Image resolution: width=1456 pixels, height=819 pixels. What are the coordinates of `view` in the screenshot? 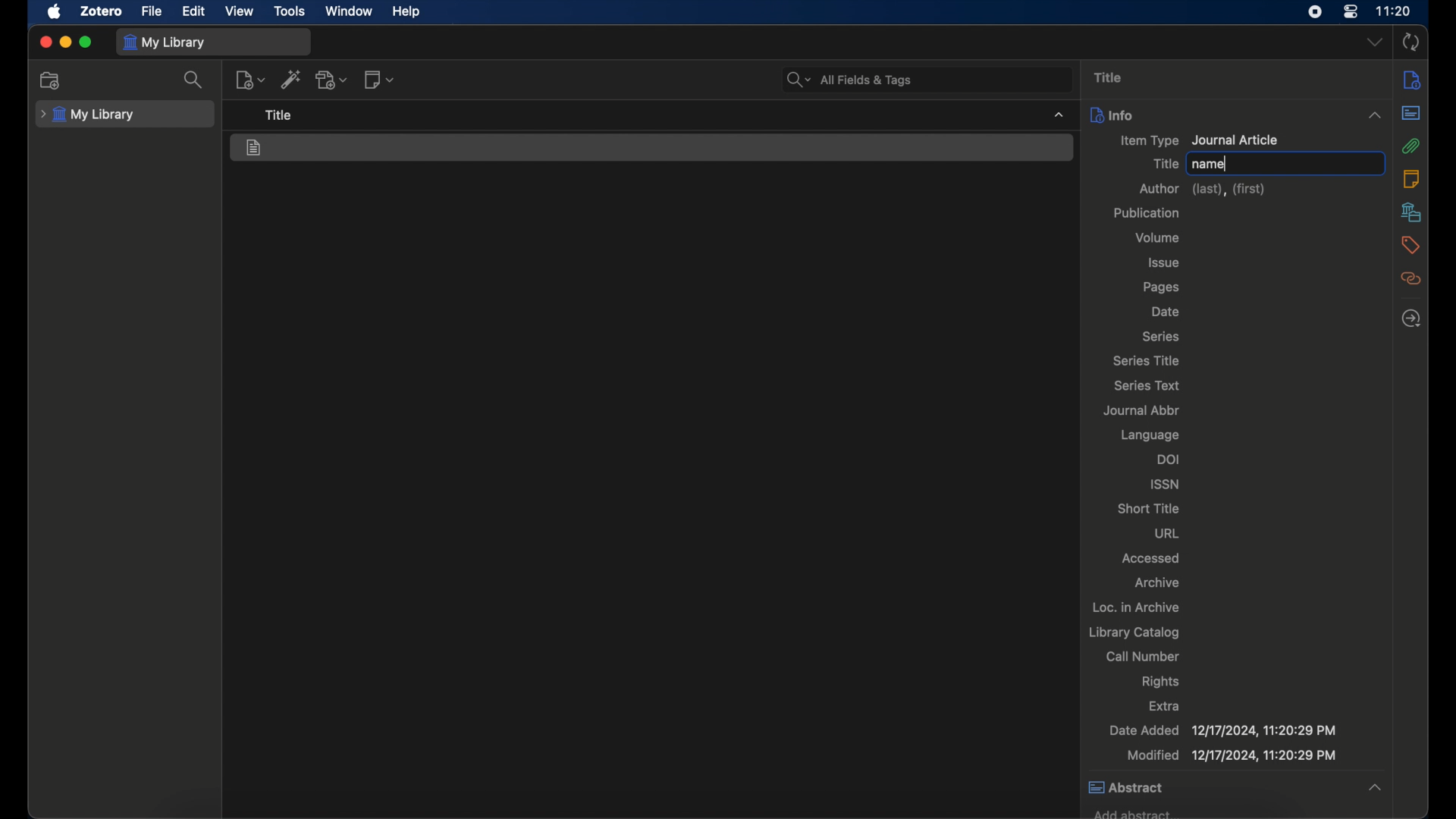 It's located at (240, 11).